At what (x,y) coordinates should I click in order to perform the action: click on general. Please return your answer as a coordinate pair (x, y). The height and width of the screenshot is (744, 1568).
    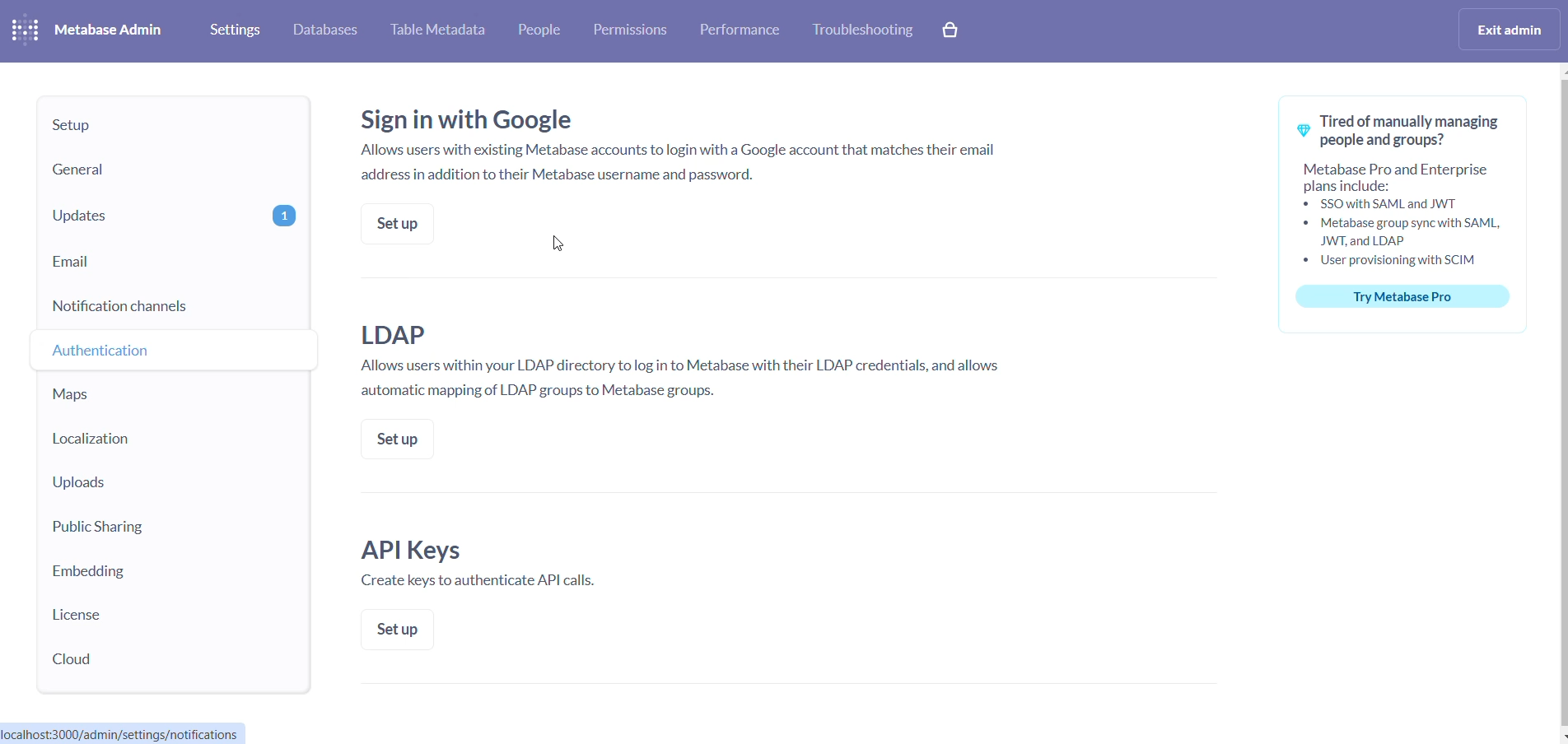
    Looking at the image, I should click on (156, 167).